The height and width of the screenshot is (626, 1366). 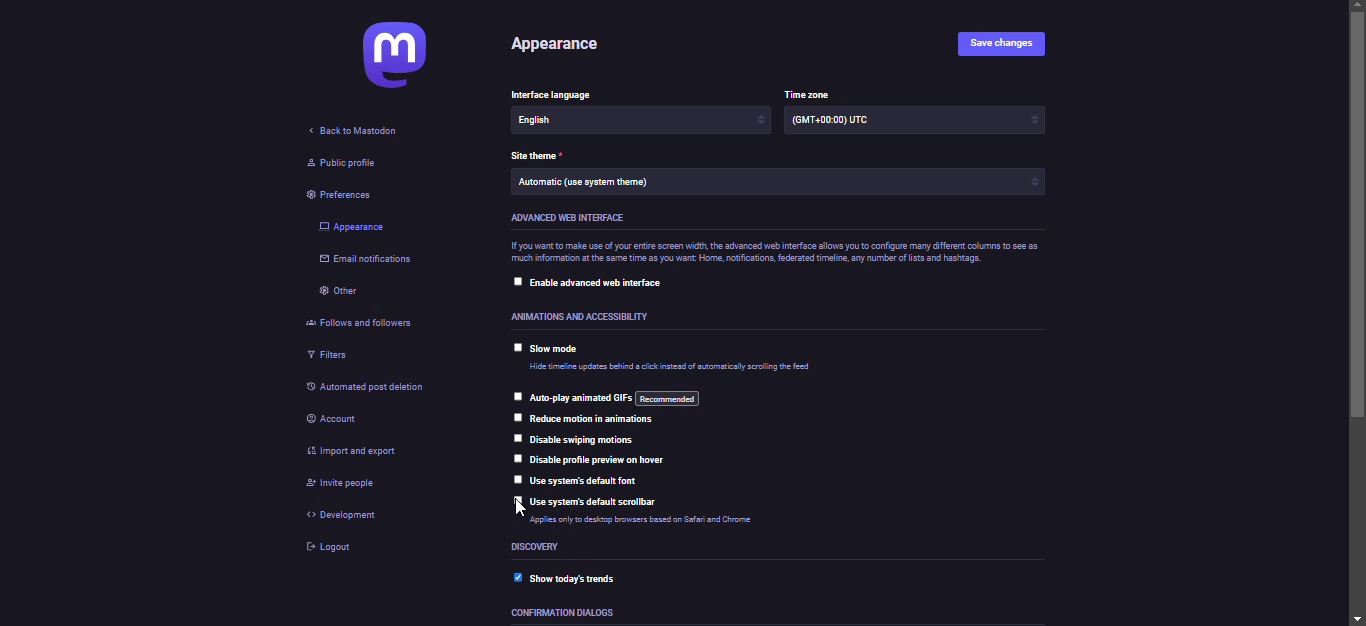 I want to click on info, so click(x=674, y=369).